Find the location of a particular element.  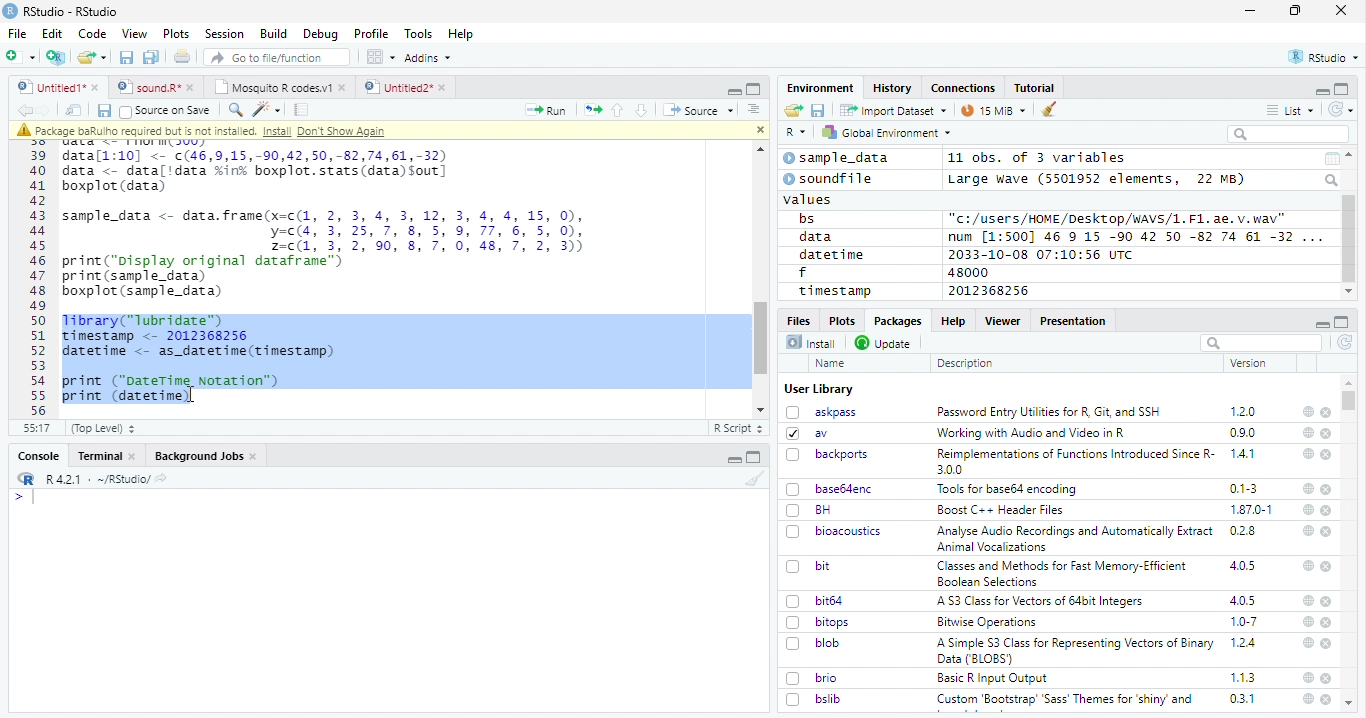

Save is located at coordinates (103, 111).